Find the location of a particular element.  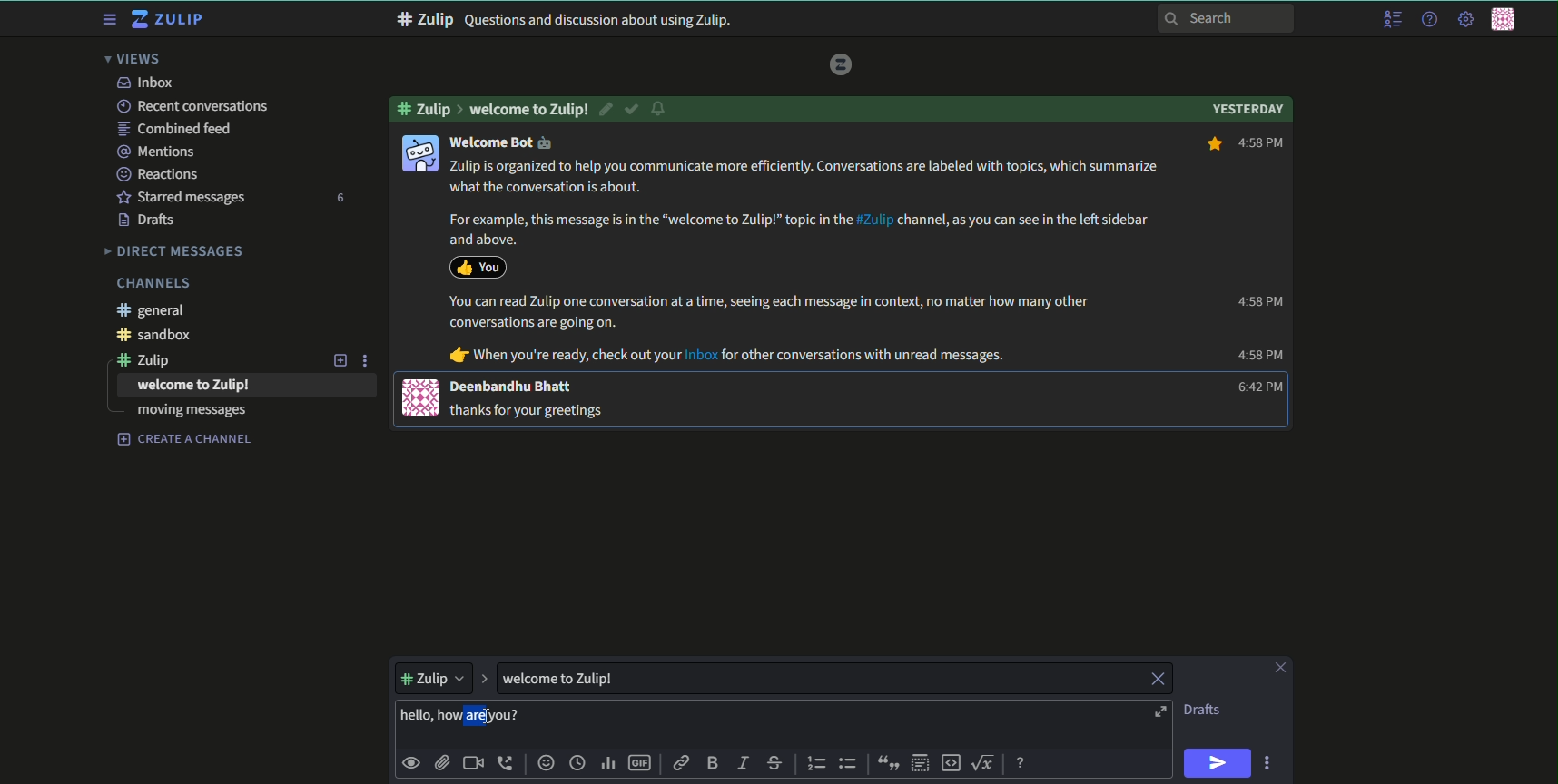

4:58 PM is located at coordinates (1260, 356).